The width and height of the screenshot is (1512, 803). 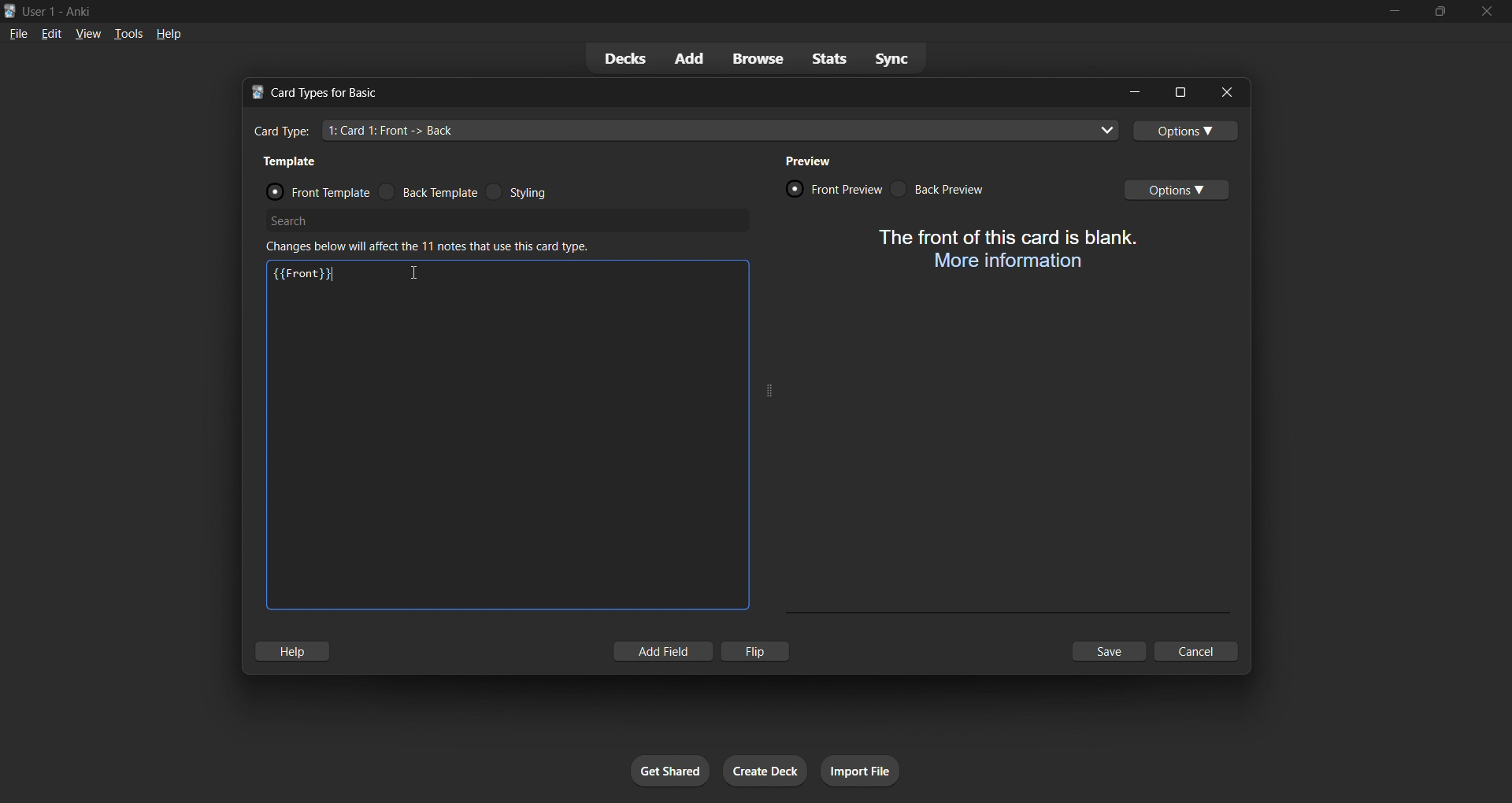 What do you see at coordinates (1133, 92) in the screenshot?
I see `minimize` at bounding box center [1133, 92].